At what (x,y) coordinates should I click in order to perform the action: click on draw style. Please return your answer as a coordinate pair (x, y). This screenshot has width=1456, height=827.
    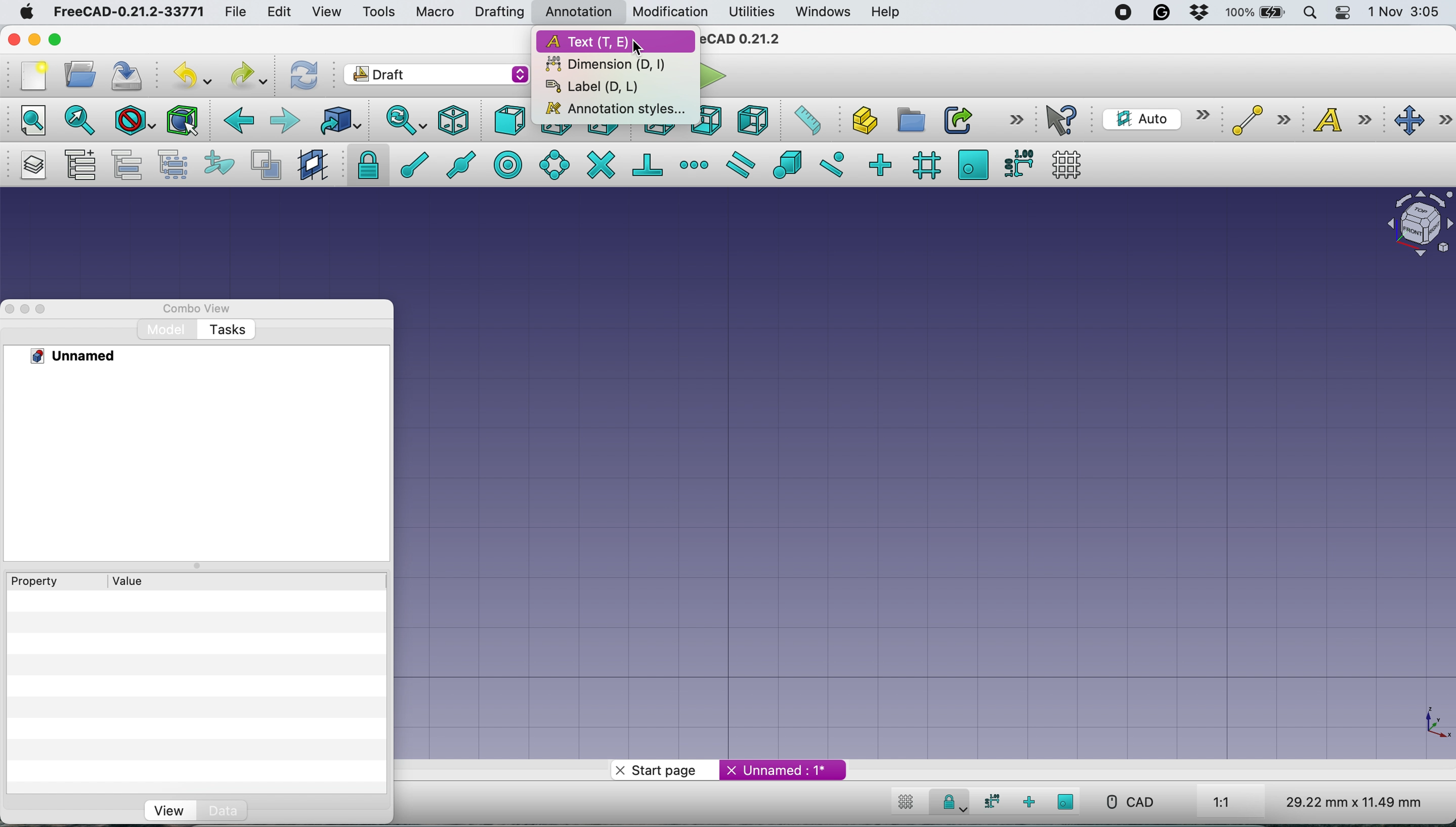
    Looking at the image, I should click on (134, 122).